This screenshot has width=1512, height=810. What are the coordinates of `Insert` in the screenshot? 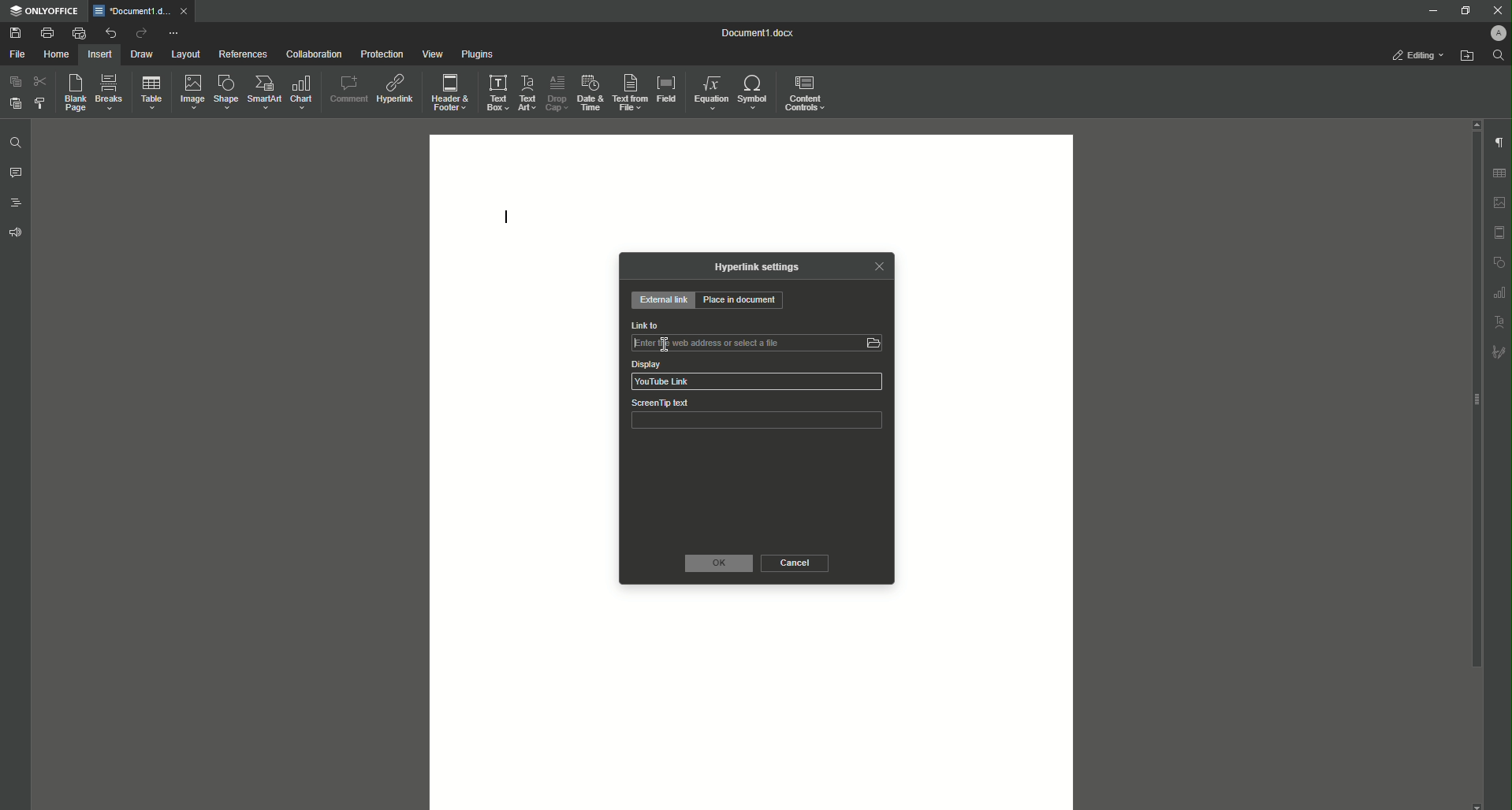 It's located at (101, 54).